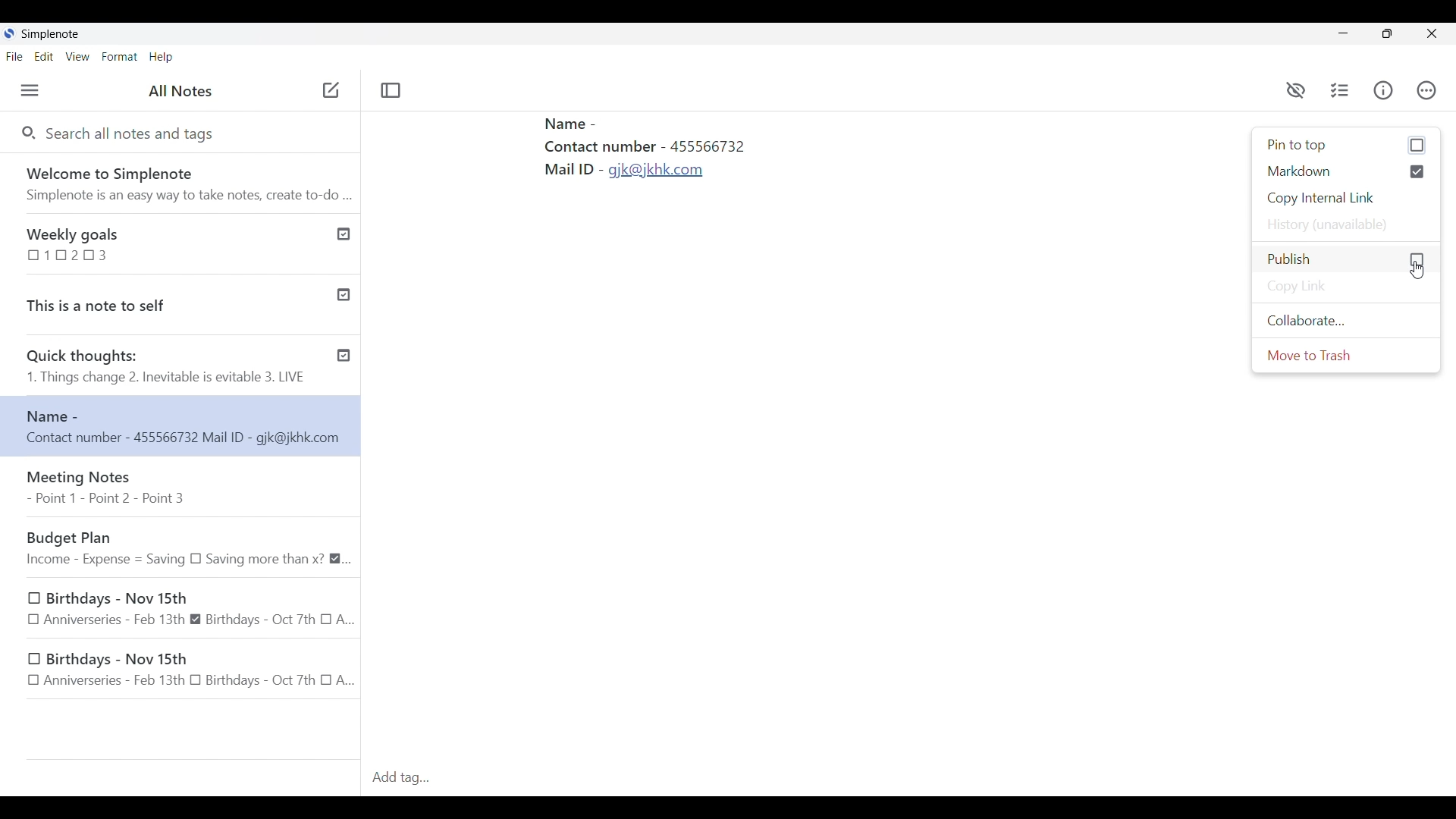 The width and height of the screenshot is (1456, 819). I want to click on Menu, so click(30, 90).